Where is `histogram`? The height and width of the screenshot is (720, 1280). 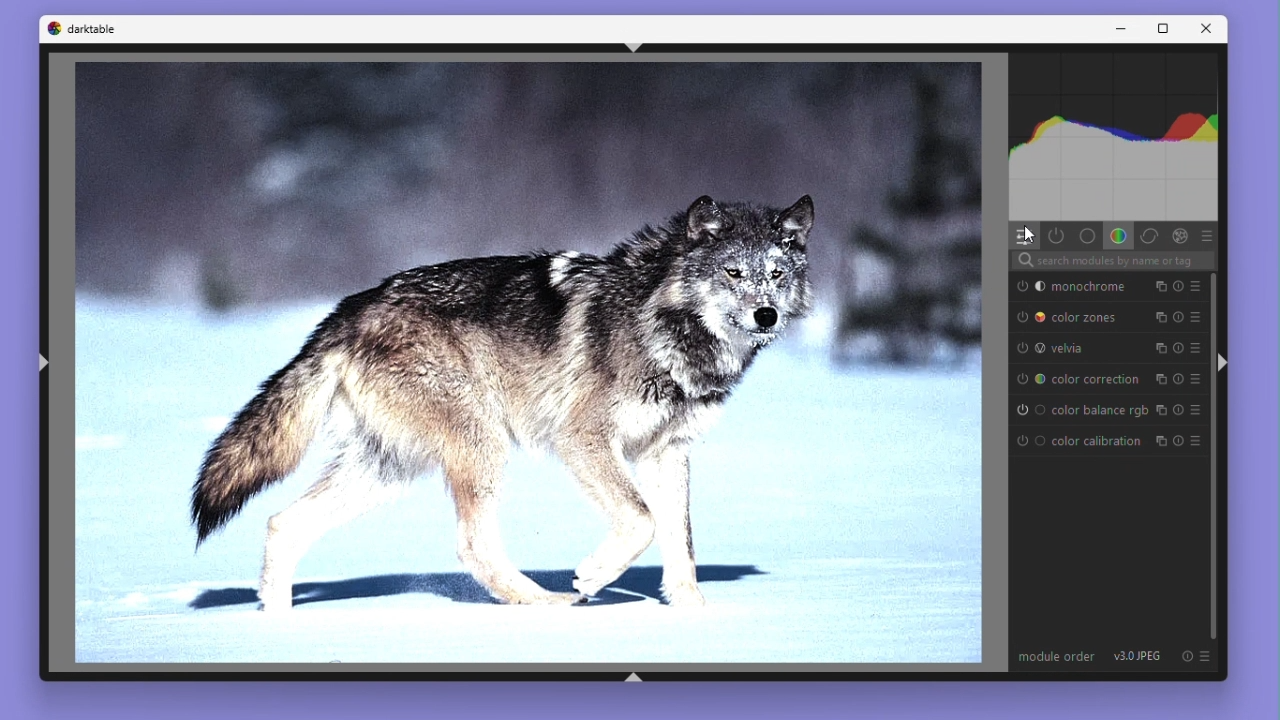 histogram is located at coordinates (1113, 137).